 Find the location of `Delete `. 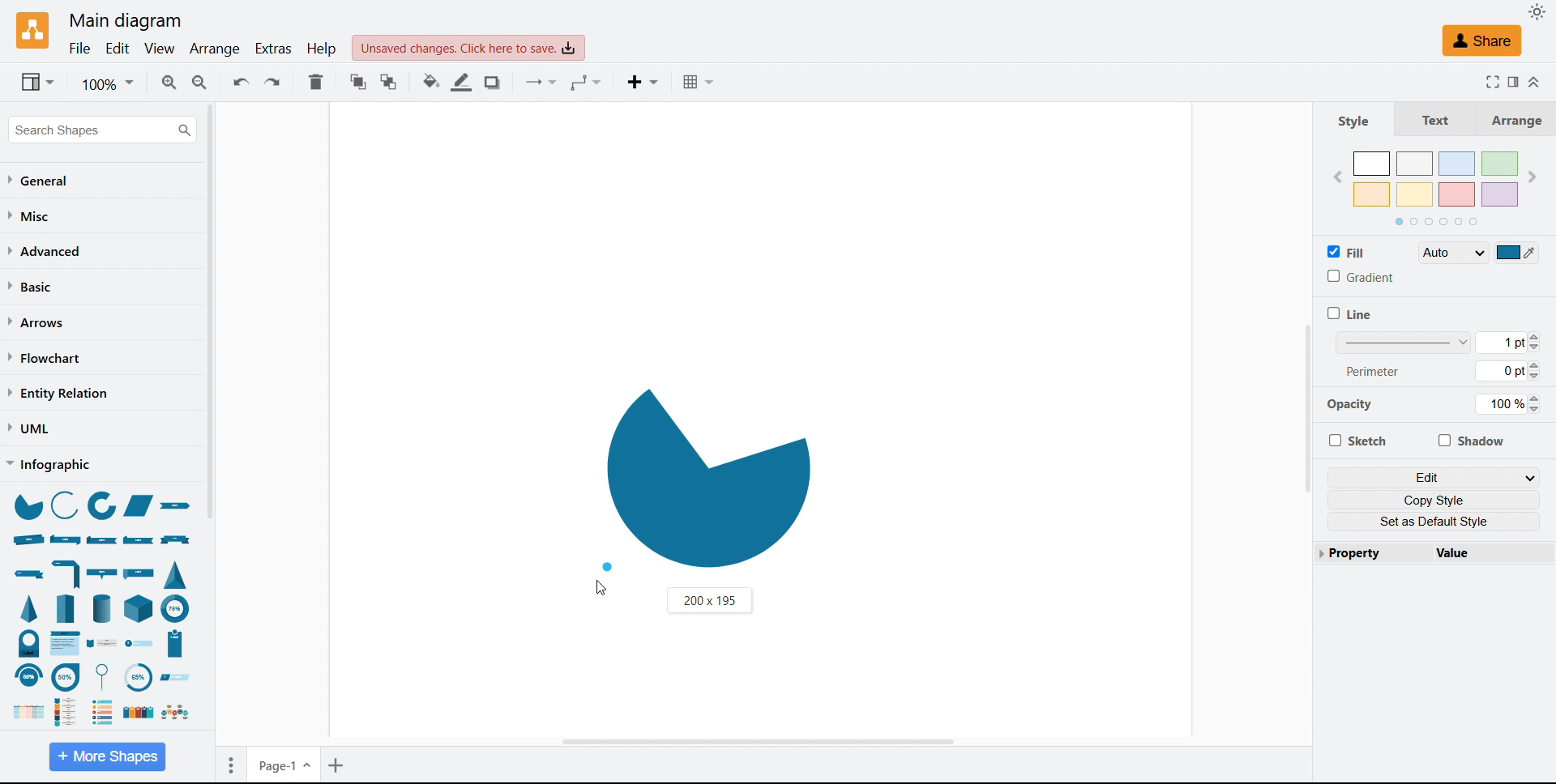

Delete  is located at coordinates (316, 82).